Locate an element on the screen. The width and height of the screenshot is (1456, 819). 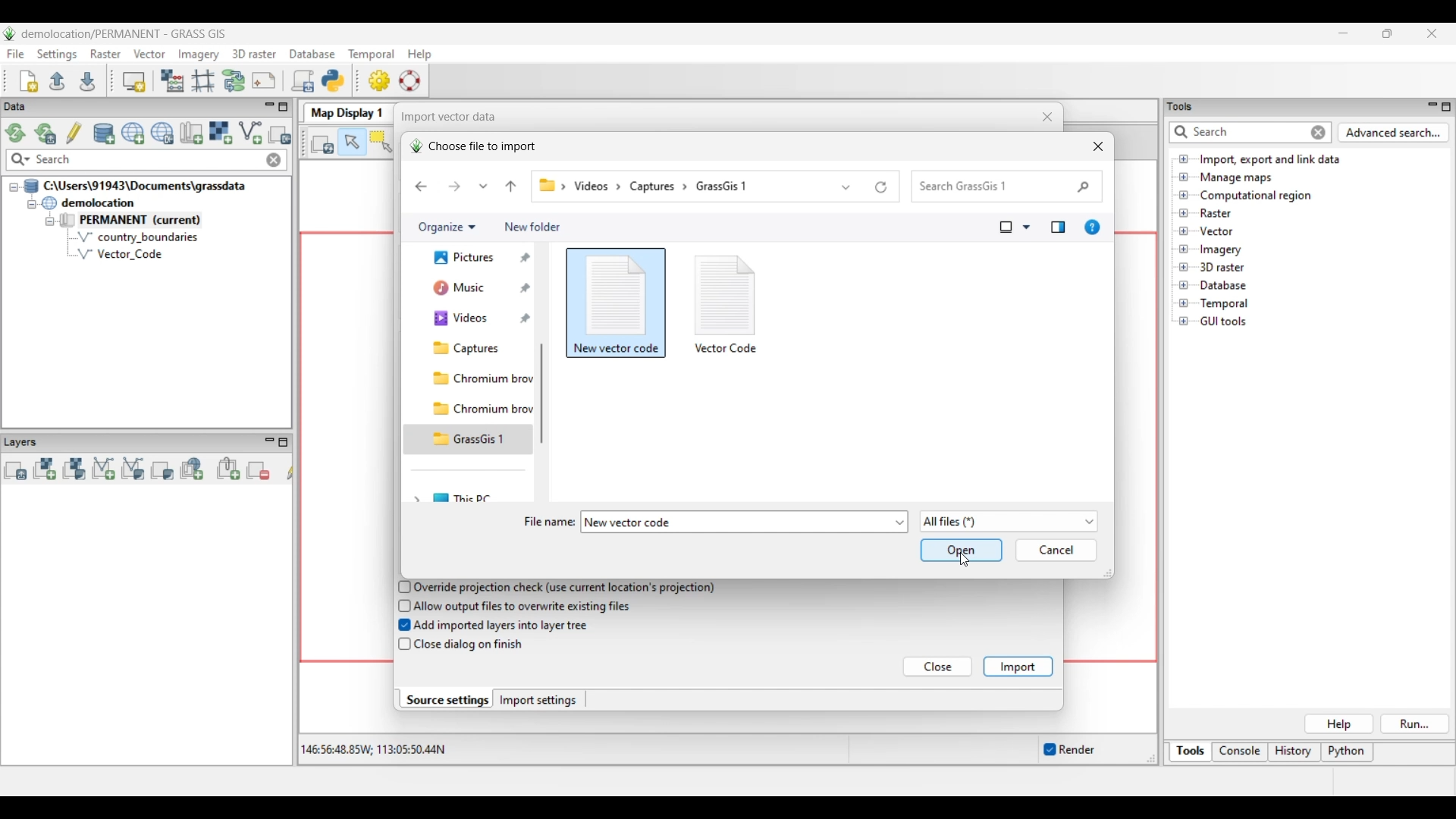
Import raster data is located at coordinates (220, 133).